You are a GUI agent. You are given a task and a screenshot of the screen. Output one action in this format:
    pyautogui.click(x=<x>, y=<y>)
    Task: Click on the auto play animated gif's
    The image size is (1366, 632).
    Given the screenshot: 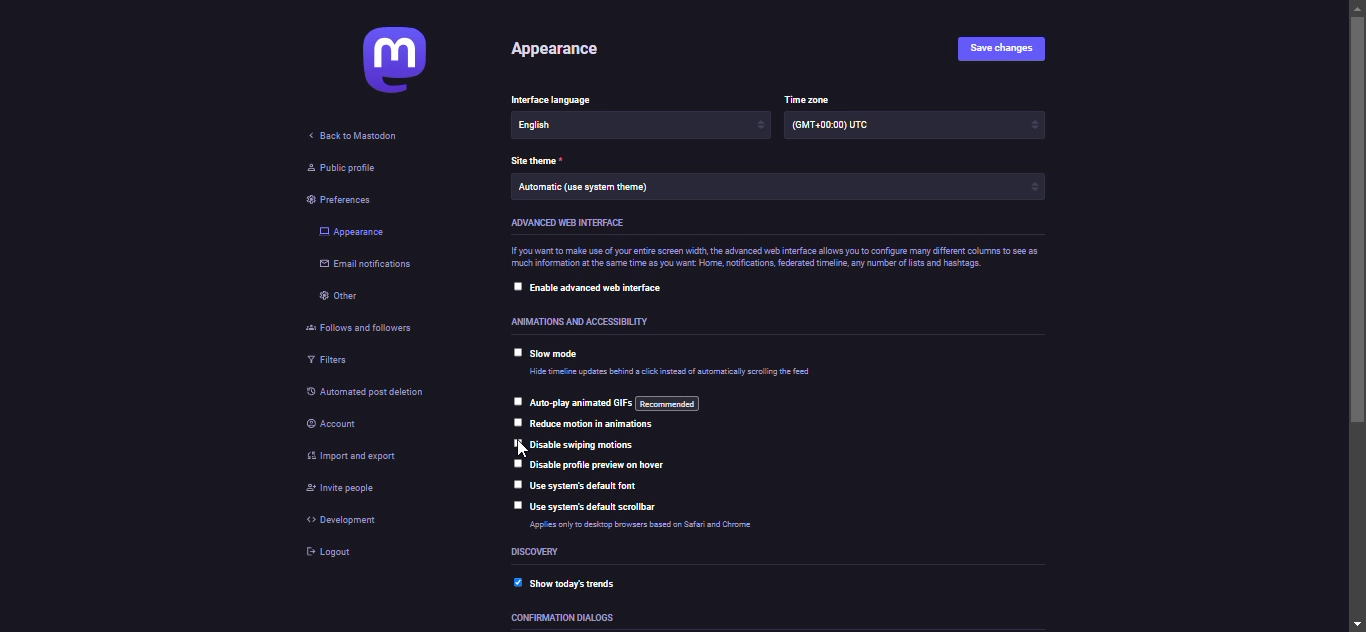 What is the action you would take?
    pyautogui.click(x=619, y=404)
    